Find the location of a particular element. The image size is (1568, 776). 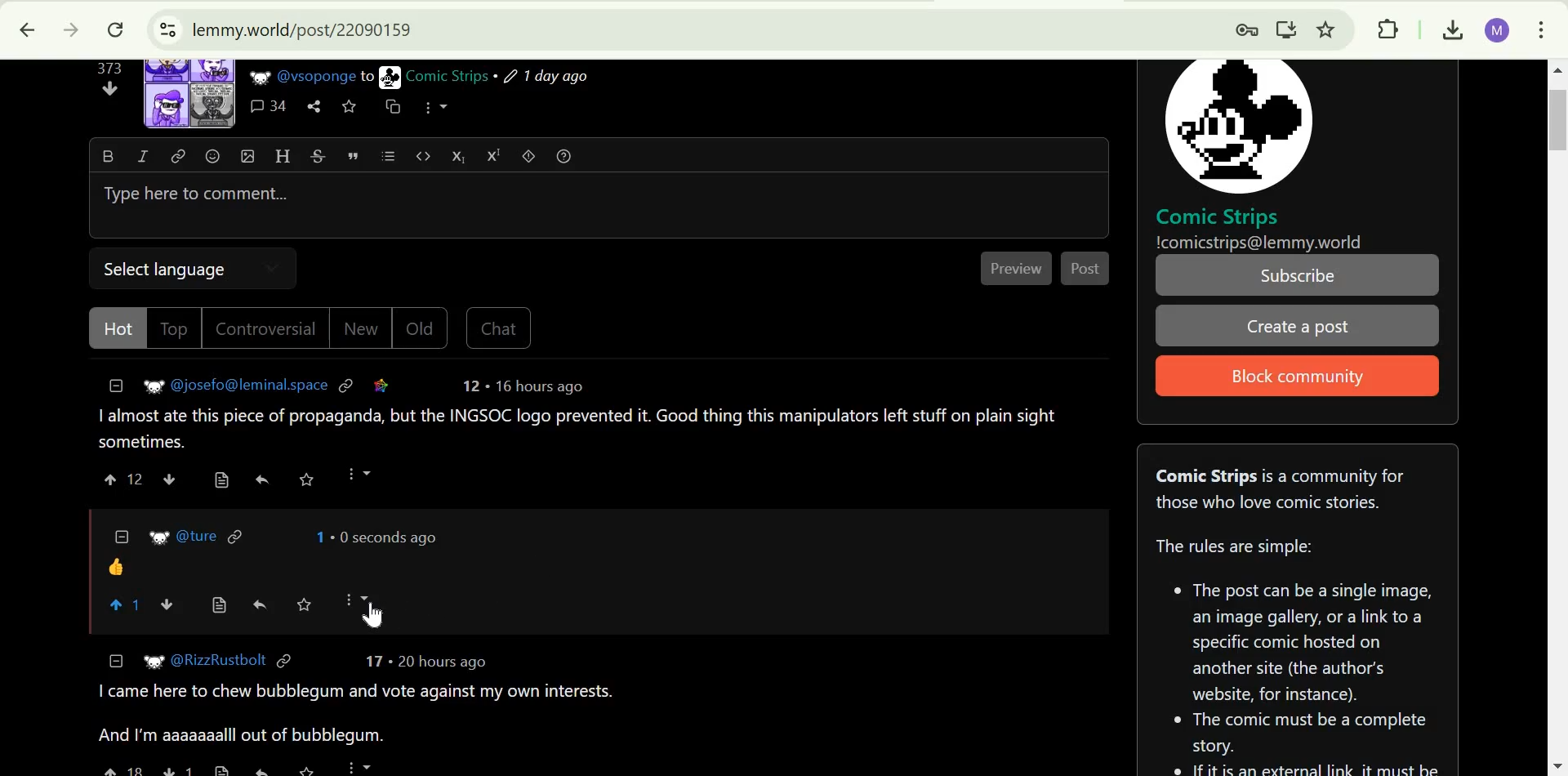

About section is located at coordinates (1281, 488).